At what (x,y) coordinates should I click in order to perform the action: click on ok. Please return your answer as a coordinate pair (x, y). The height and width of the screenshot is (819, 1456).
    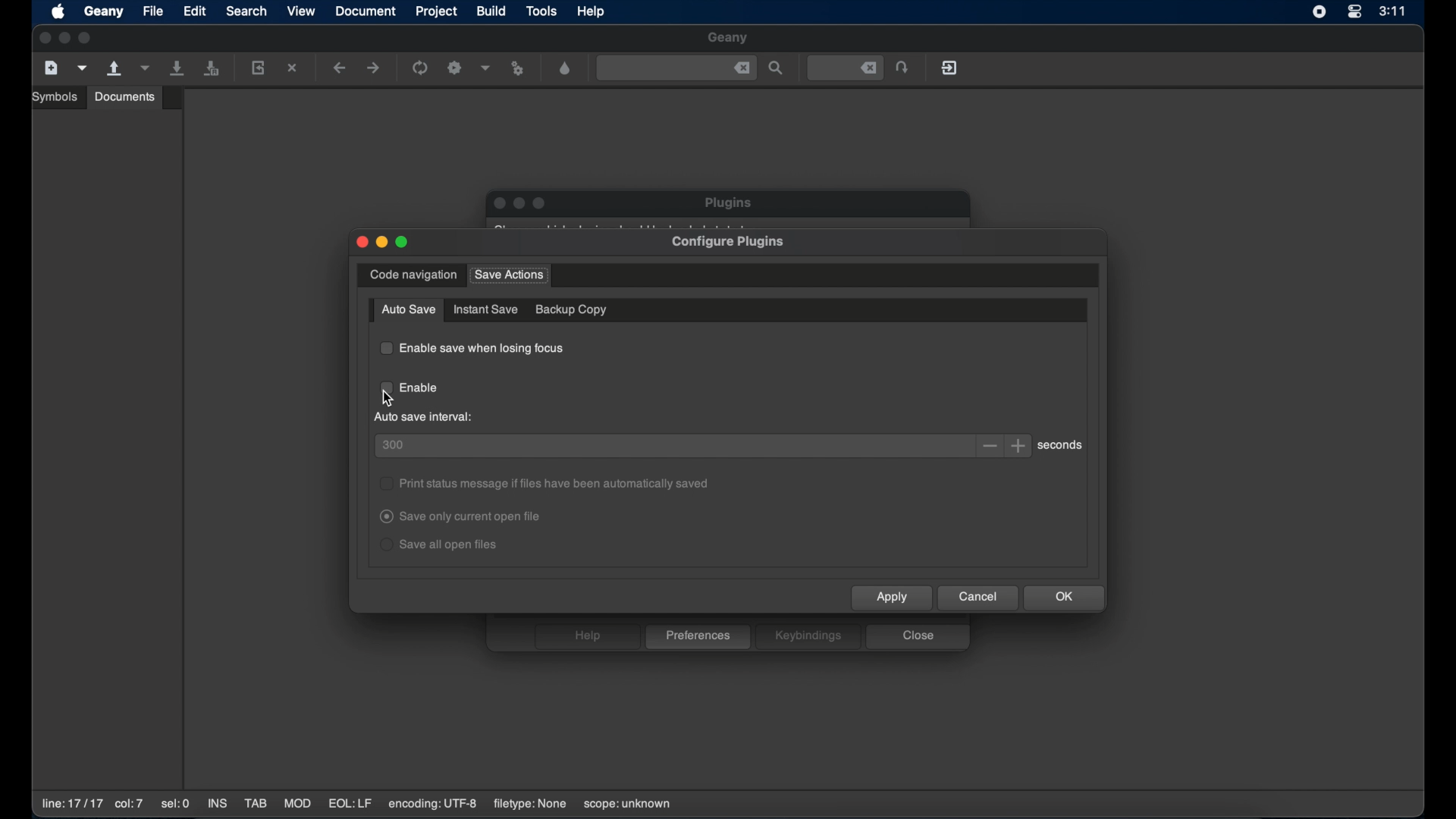
    Looking at the image, I should click on (1065, 598).